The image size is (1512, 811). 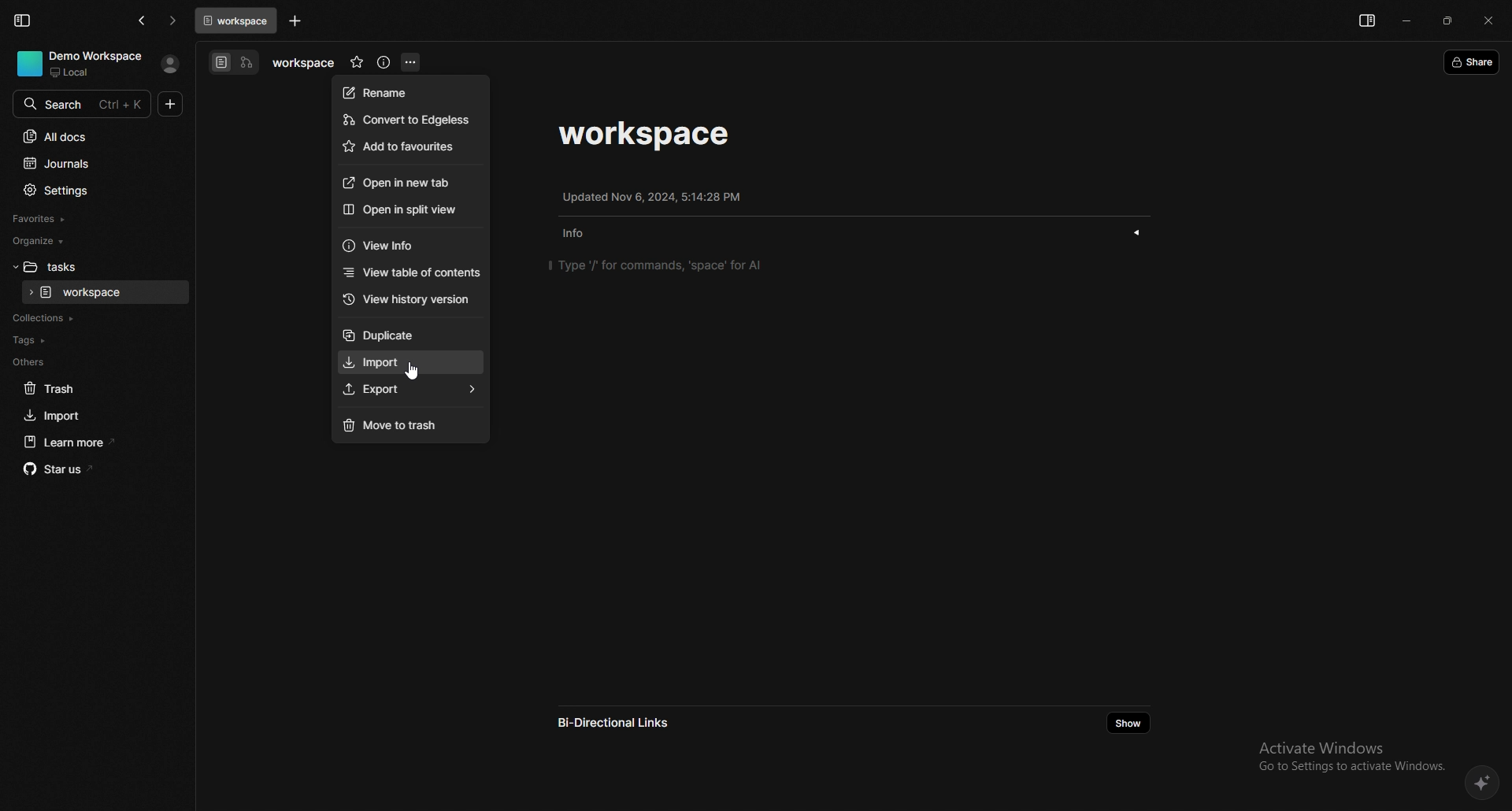 I want to click on search bar, so click(x=82, y=102).